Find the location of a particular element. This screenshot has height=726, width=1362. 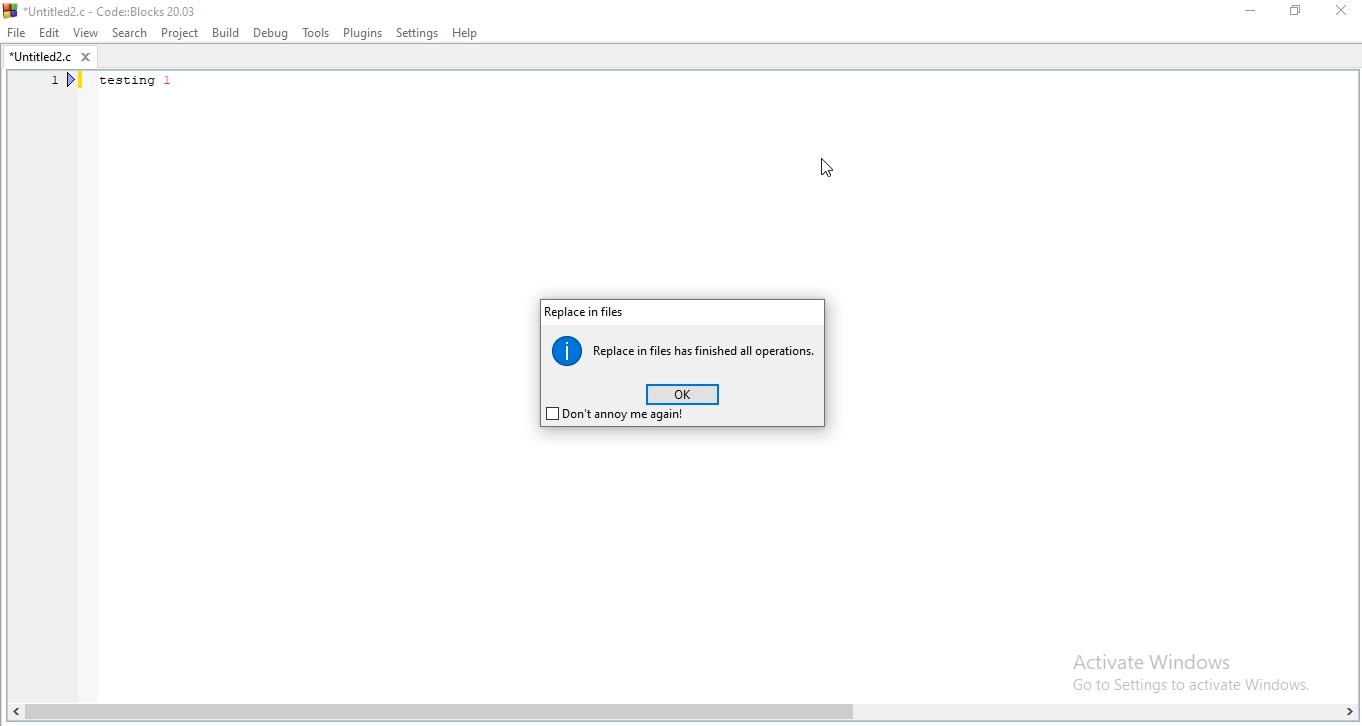

Build  is located at coordinates (225, 32).